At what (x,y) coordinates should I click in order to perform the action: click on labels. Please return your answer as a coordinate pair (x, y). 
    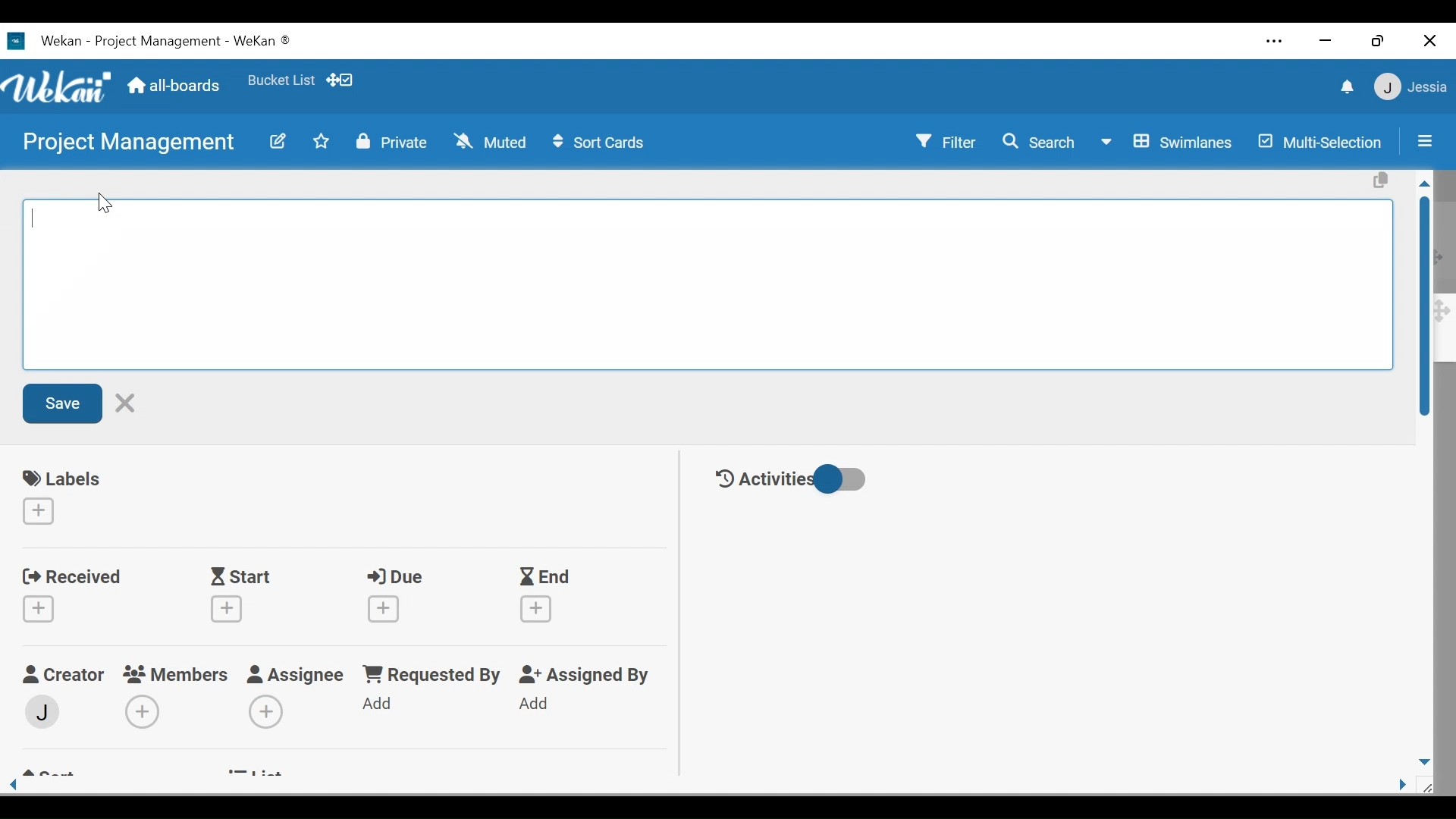
    Looking at the image, I should click on (63, 479).